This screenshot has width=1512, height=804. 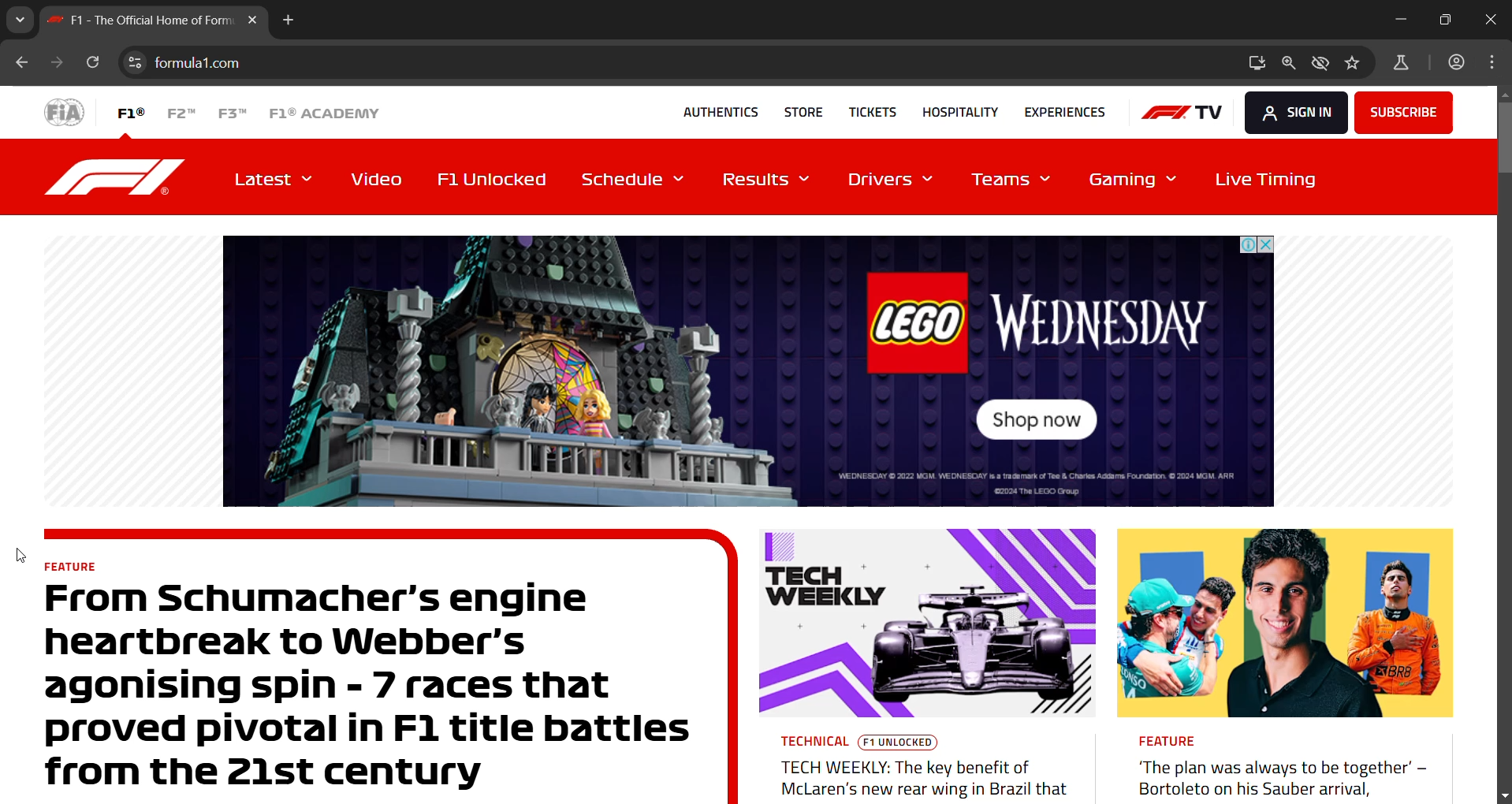 I want to click on Video, so click(x=377, y=179).